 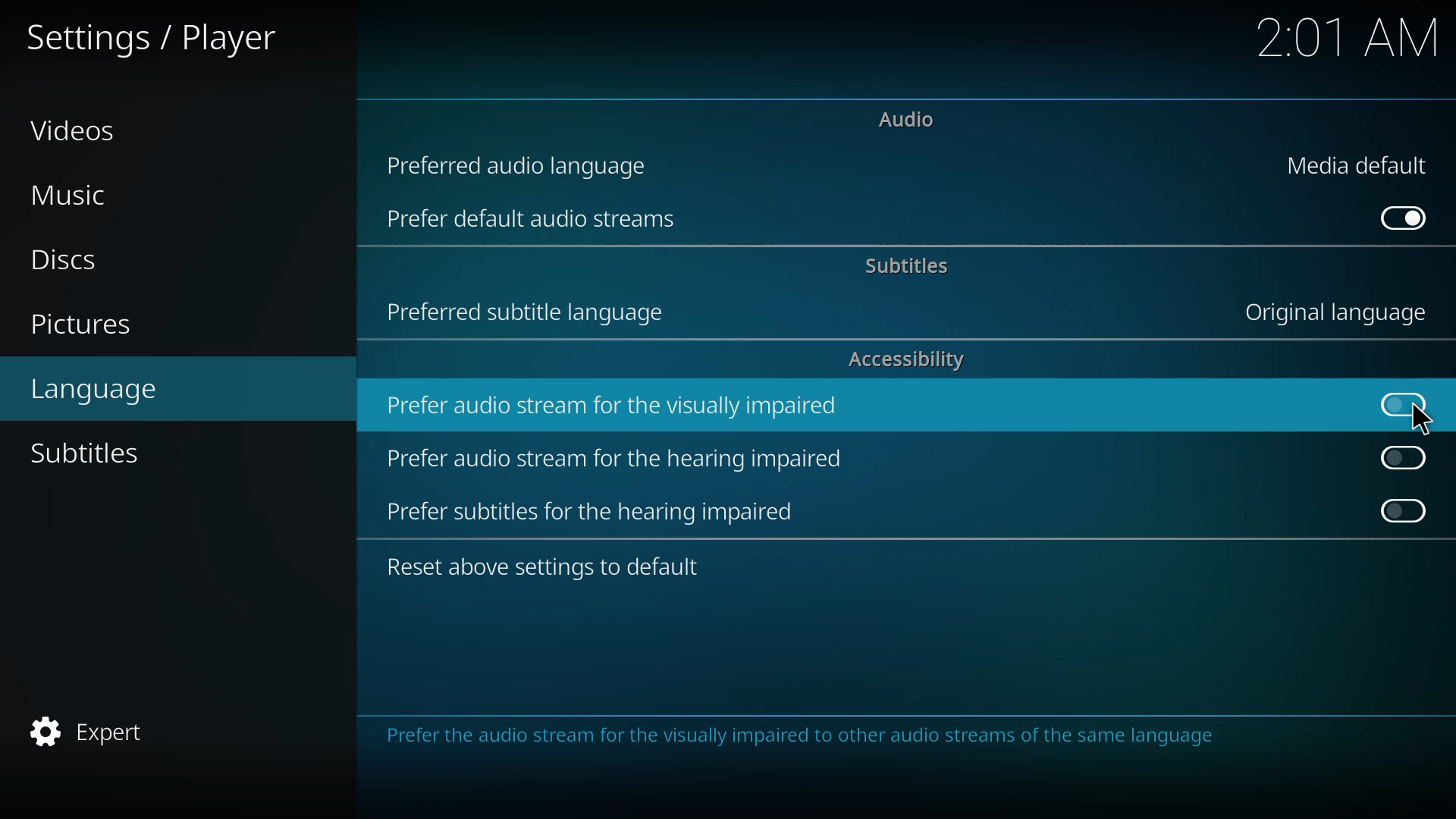 I want to click on prefer default audio, so click(x=534, y=221).